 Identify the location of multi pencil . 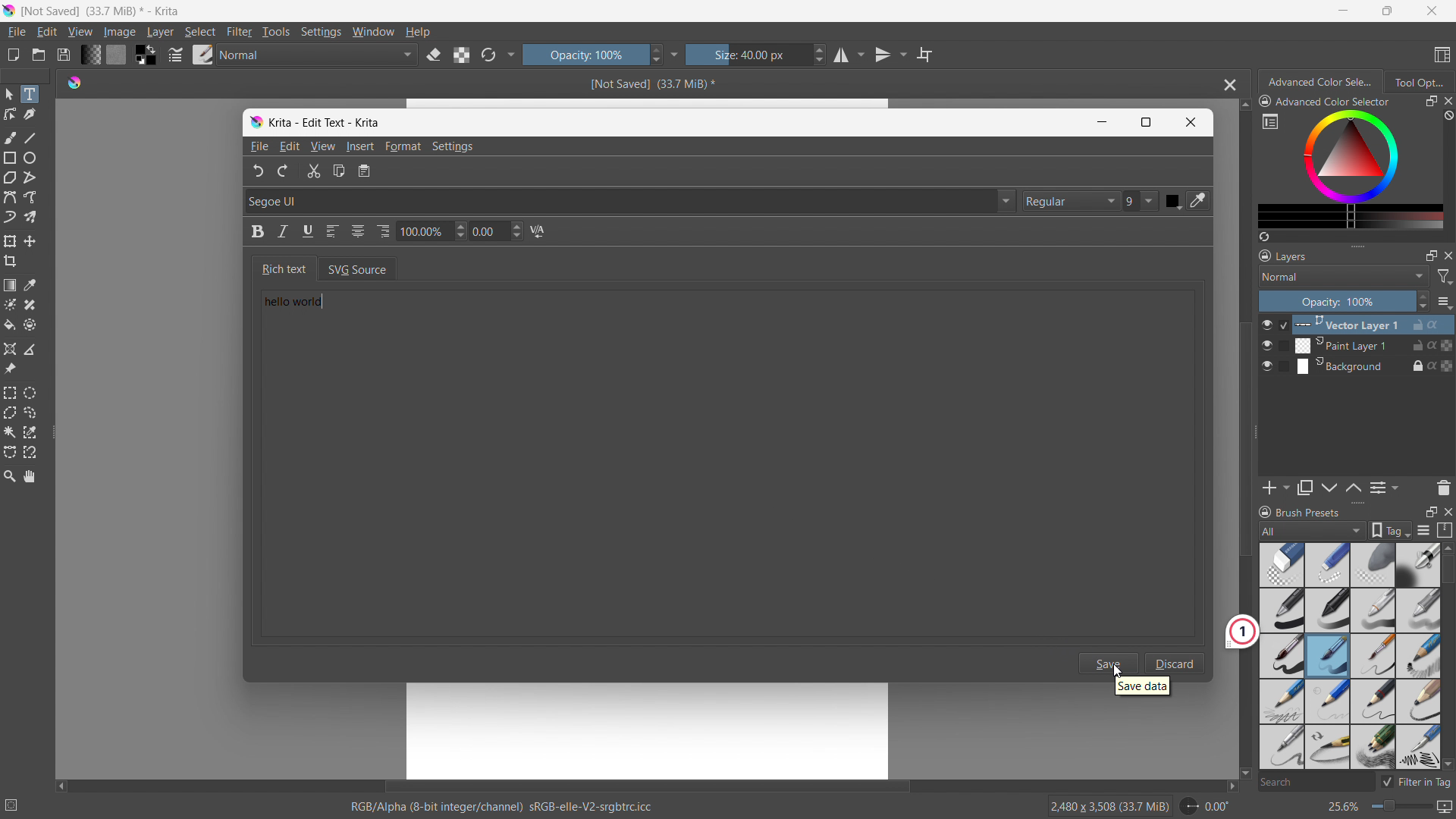
(1374, 748).